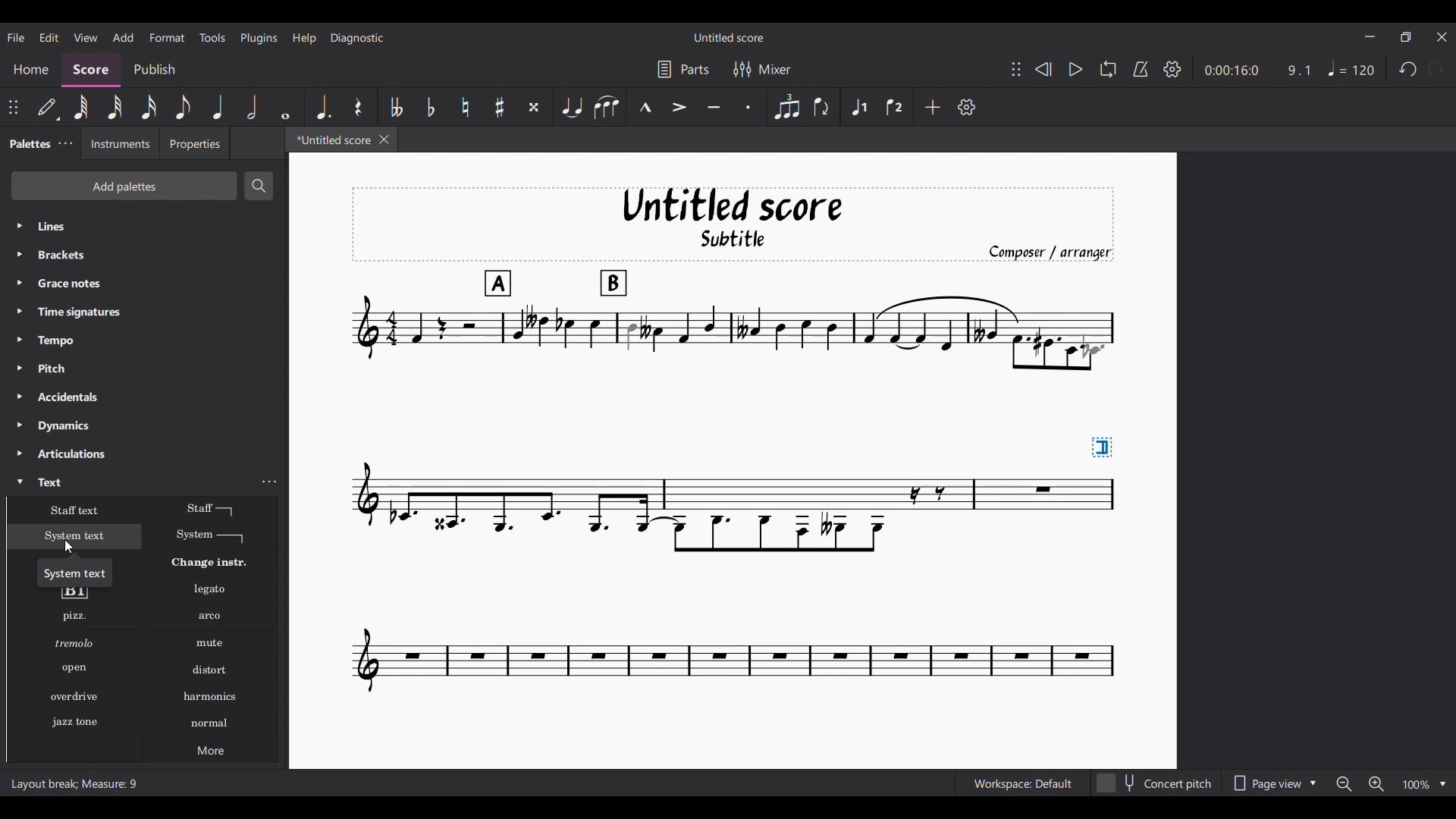 The image size is (1456, 819). What do you see at coordinates (269, 482) in the screenshot?
I see `Text settings` at bounding box center [269, 482].